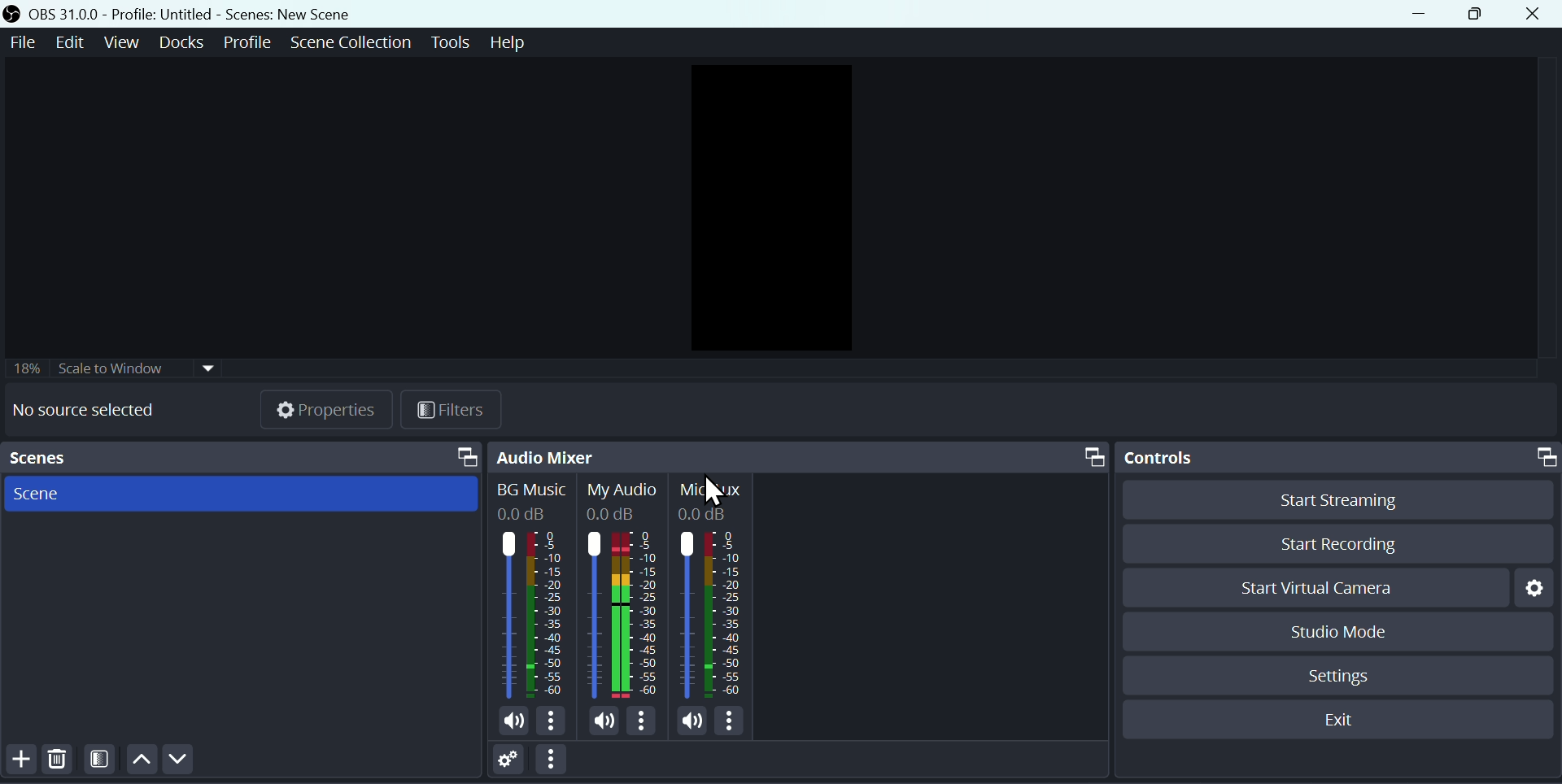  I want to click on Controls, so click(1338, 459).